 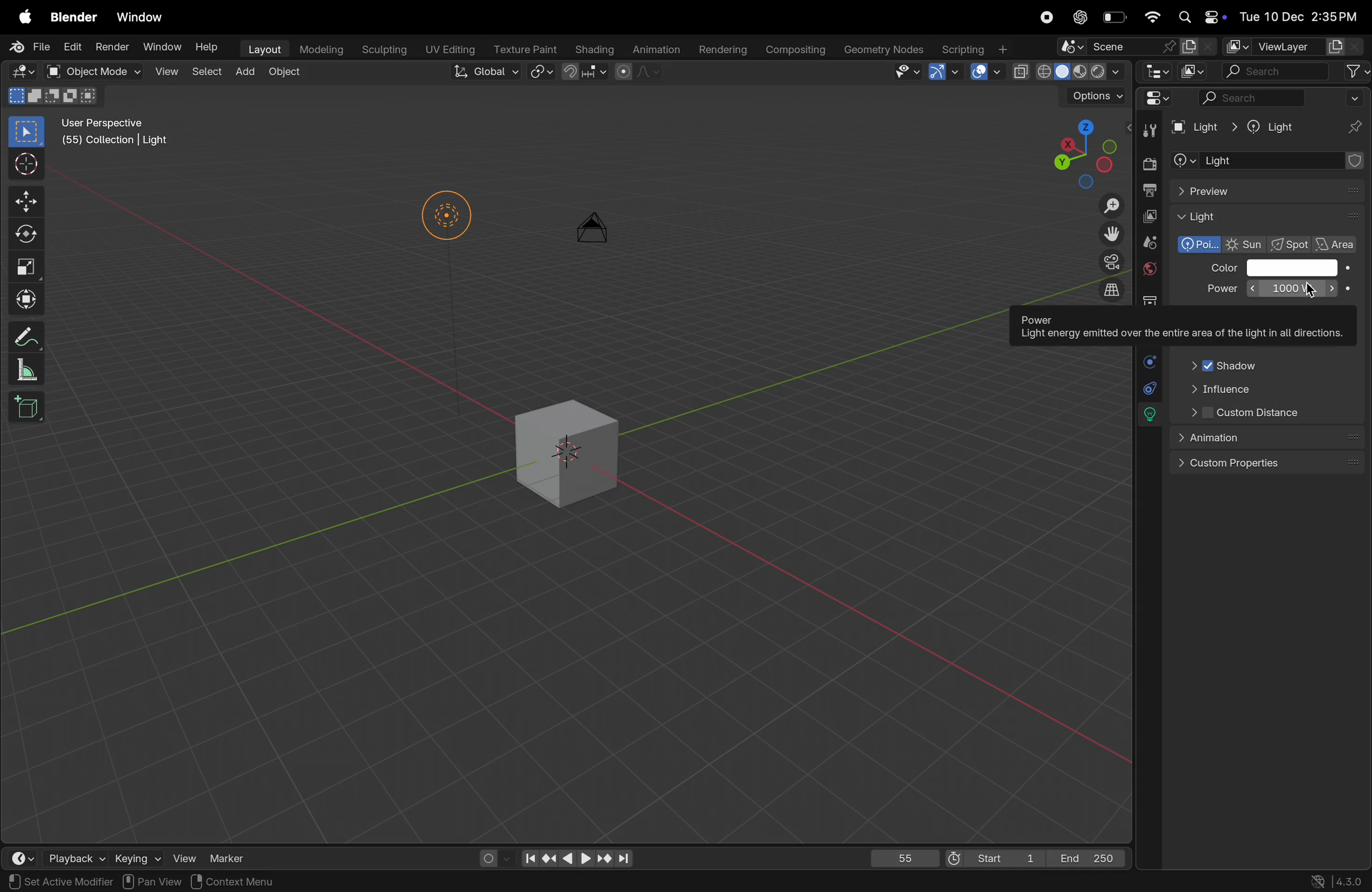 I want to click on 55, so click(x=902, y=856).